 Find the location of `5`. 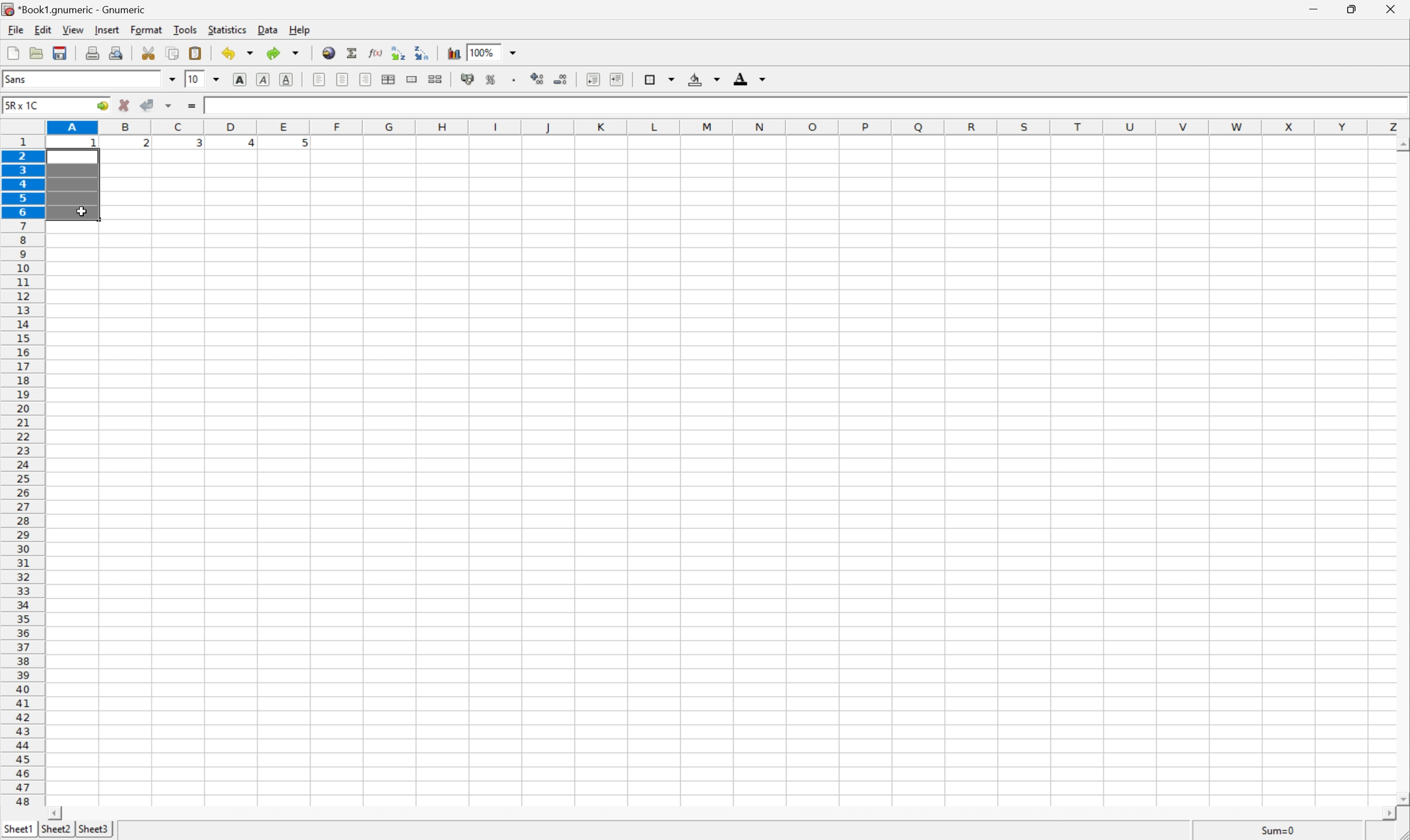

5 is located at coordinates (302, 145).